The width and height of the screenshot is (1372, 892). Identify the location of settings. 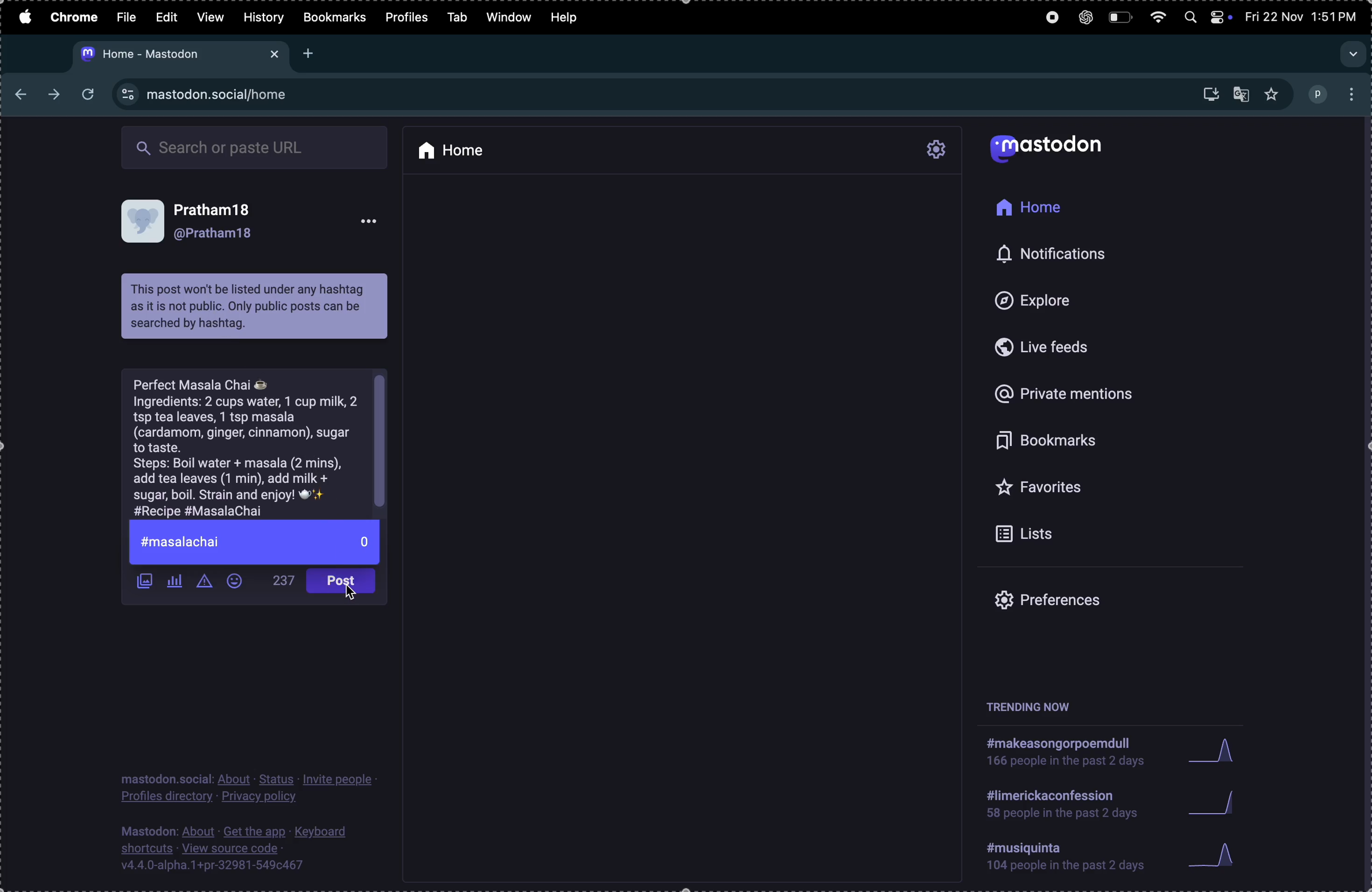
(937, 150).